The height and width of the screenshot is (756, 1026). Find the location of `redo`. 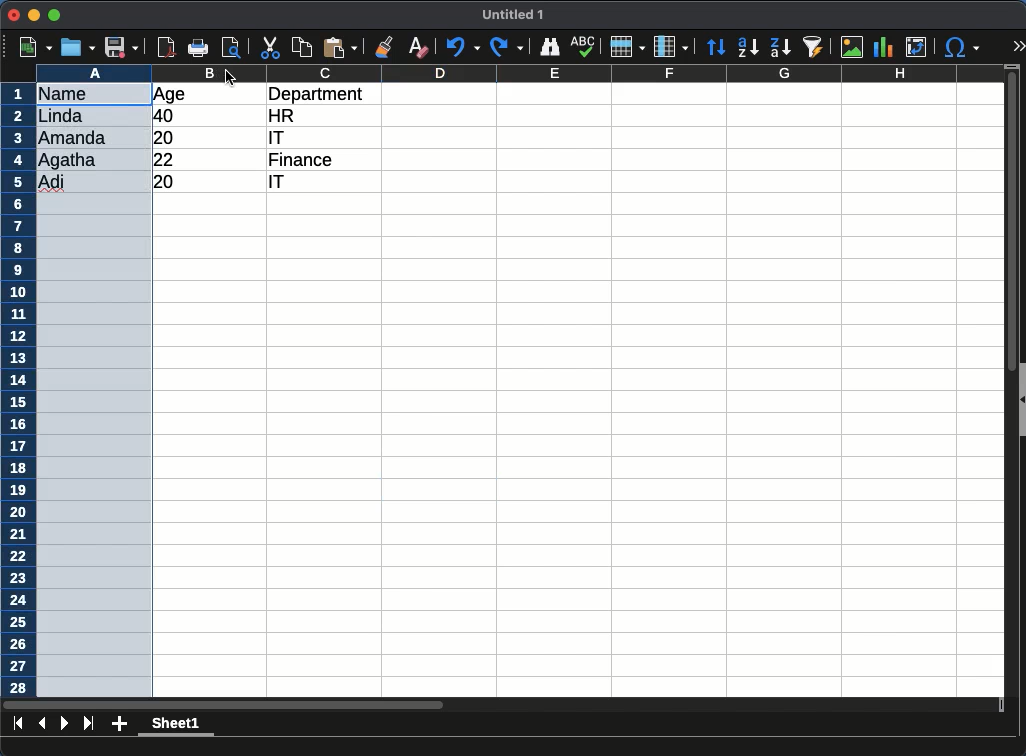

redo is located at coordinates (505, 47).